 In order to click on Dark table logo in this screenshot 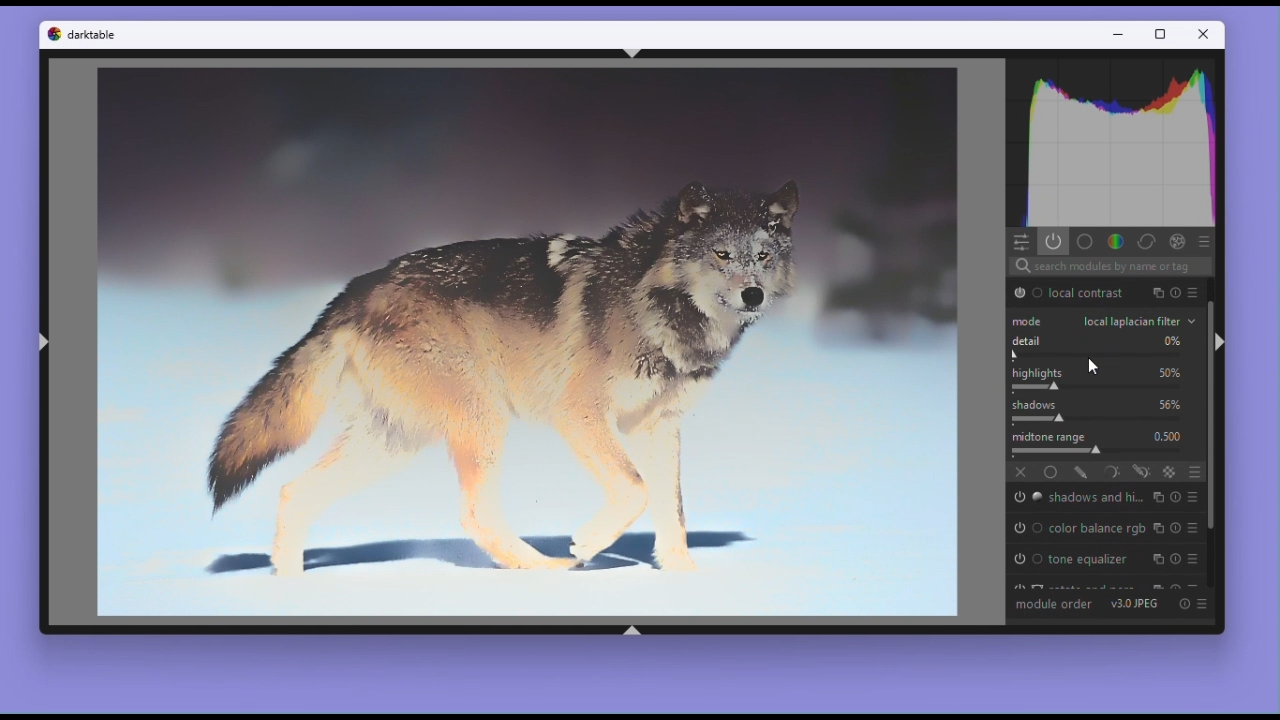, I will do `click(51, 38)`.